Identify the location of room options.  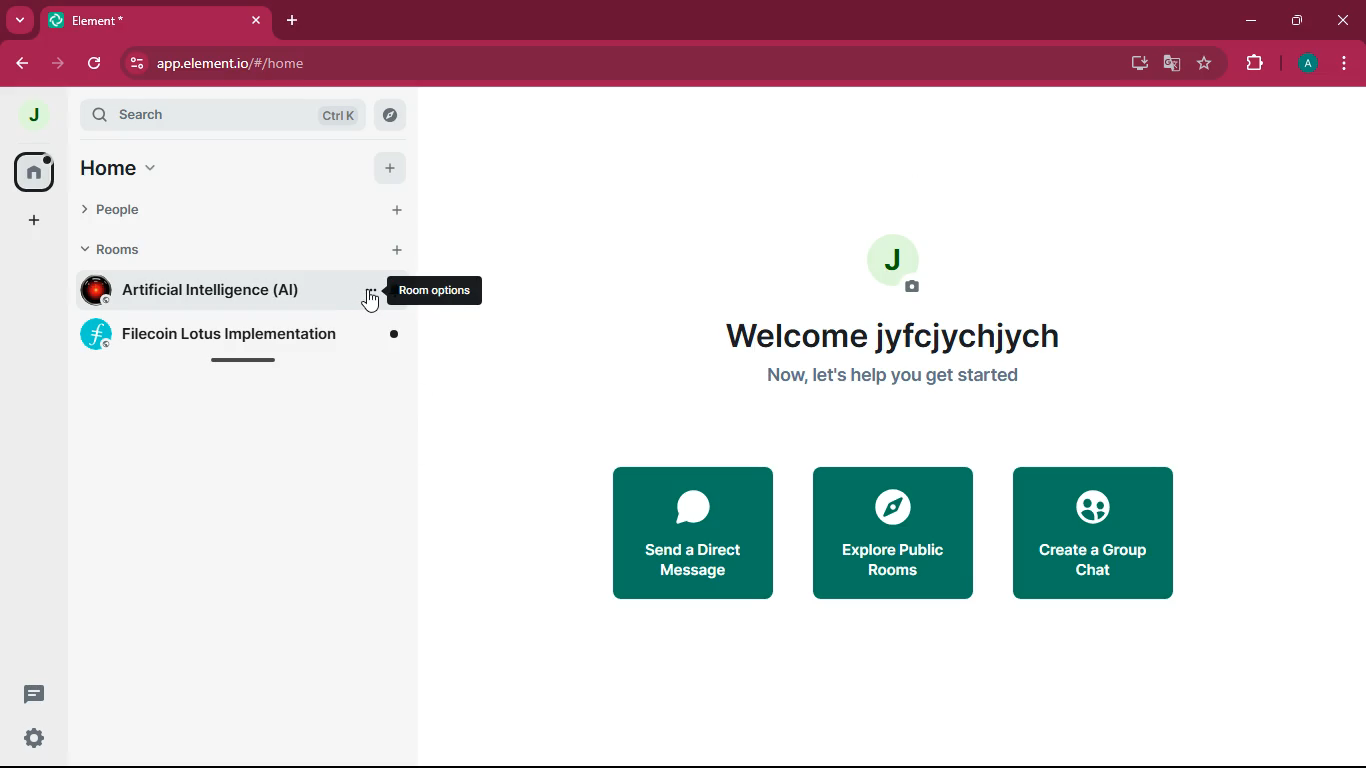
(367, 296).